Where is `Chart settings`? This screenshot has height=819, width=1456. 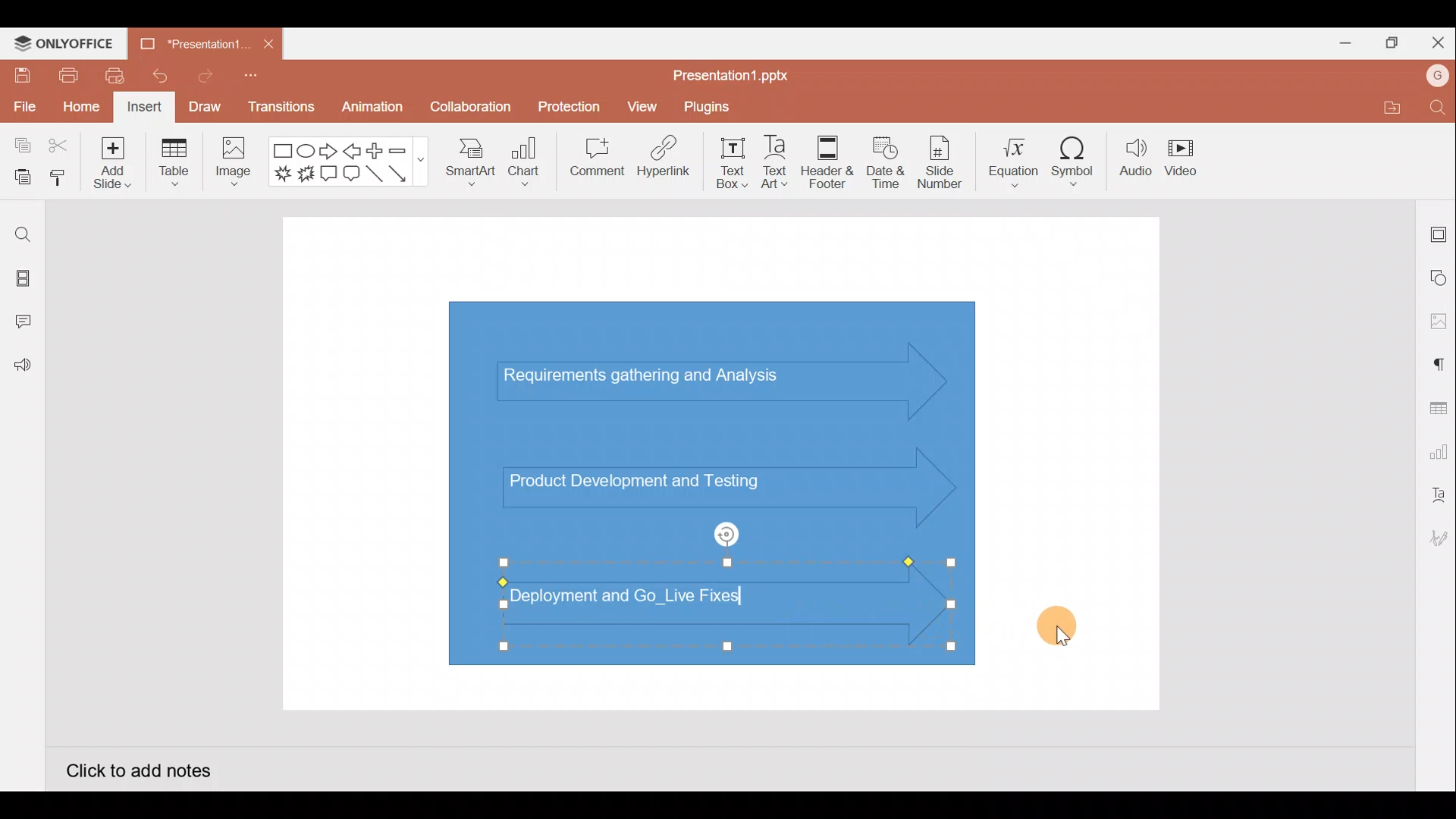 Chart settings is located at coordinates (1436, 449).